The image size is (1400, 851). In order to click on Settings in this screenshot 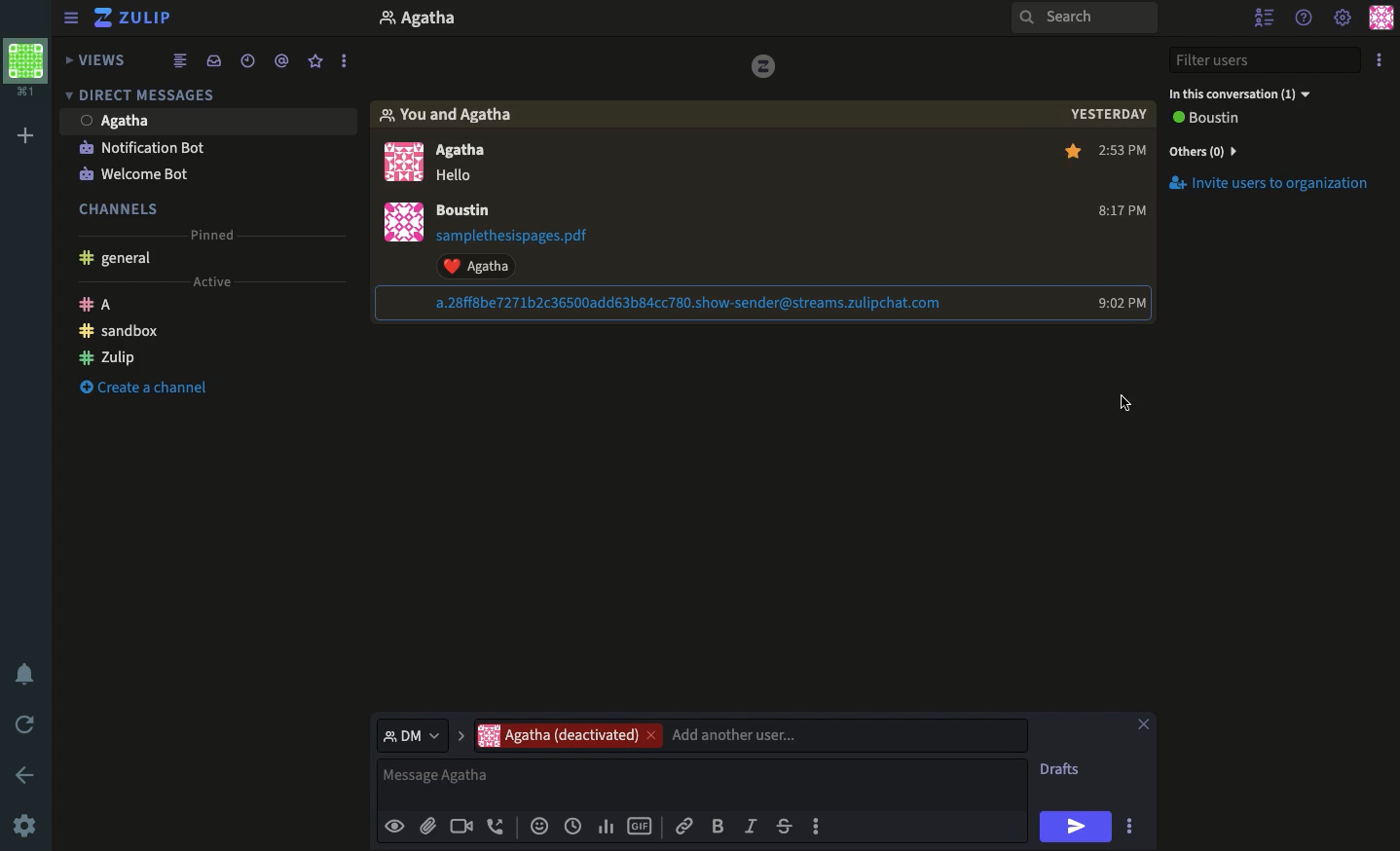, I will do `click(1344, 18)`.